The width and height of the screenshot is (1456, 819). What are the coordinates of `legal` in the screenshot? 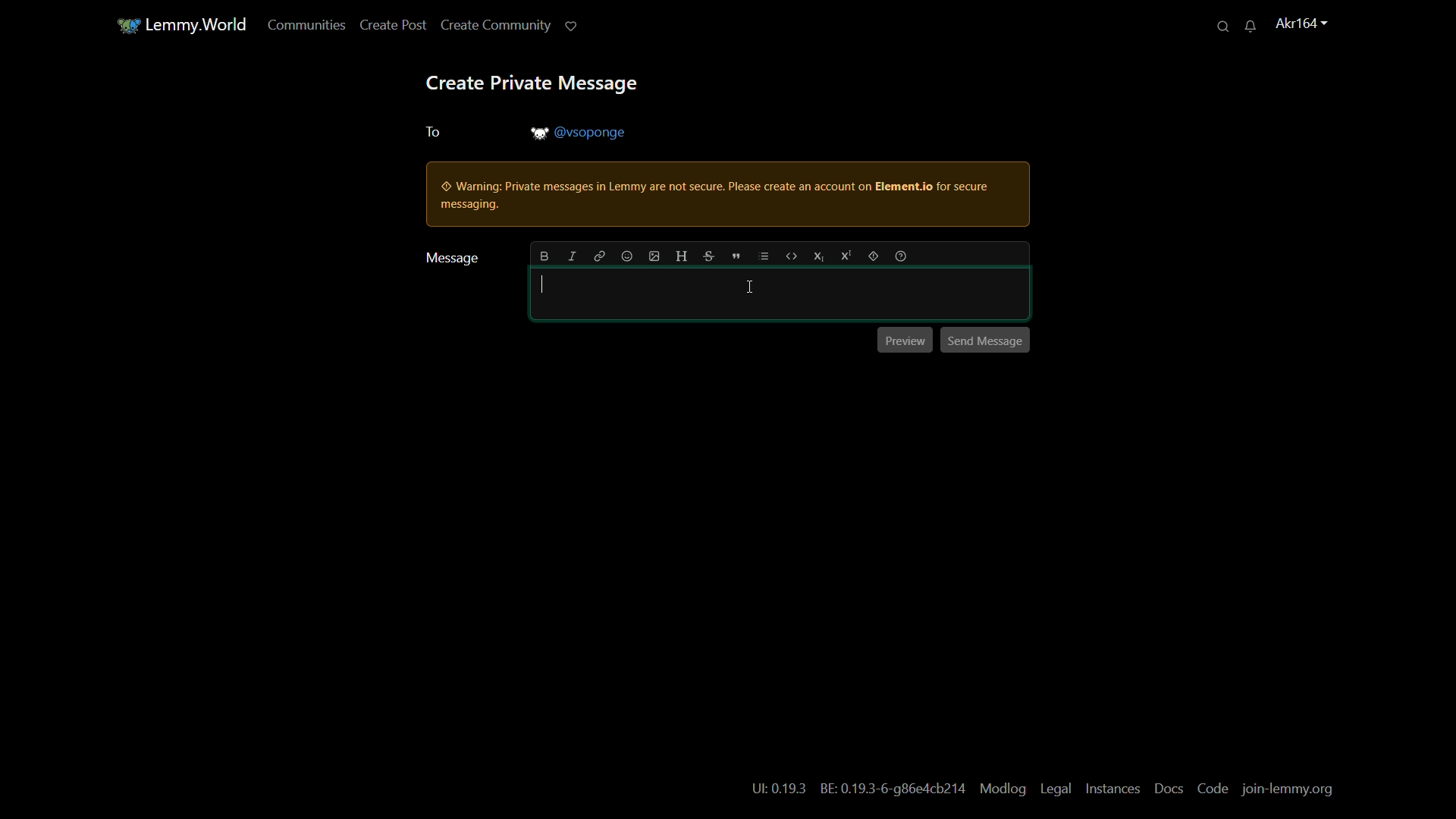 It's located at (1054, 789).